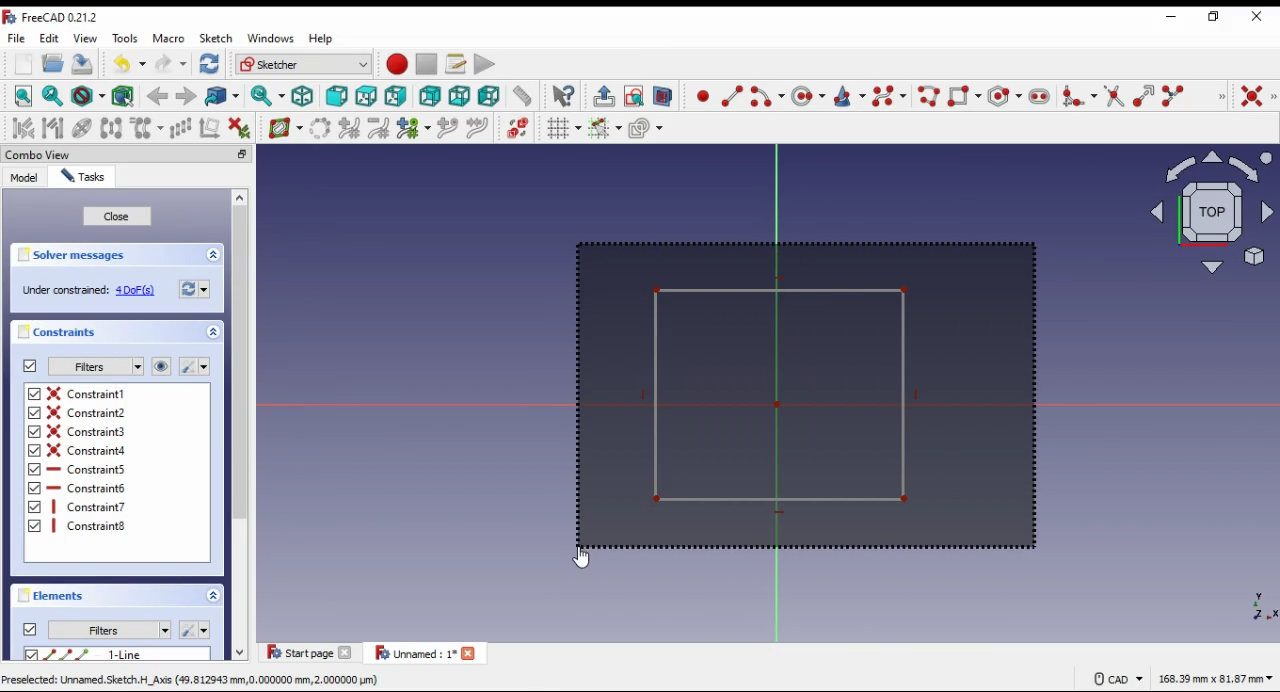 The height and width of the screenshot is (692, 1280). I want to click on workbench selection, so click(304, 64).